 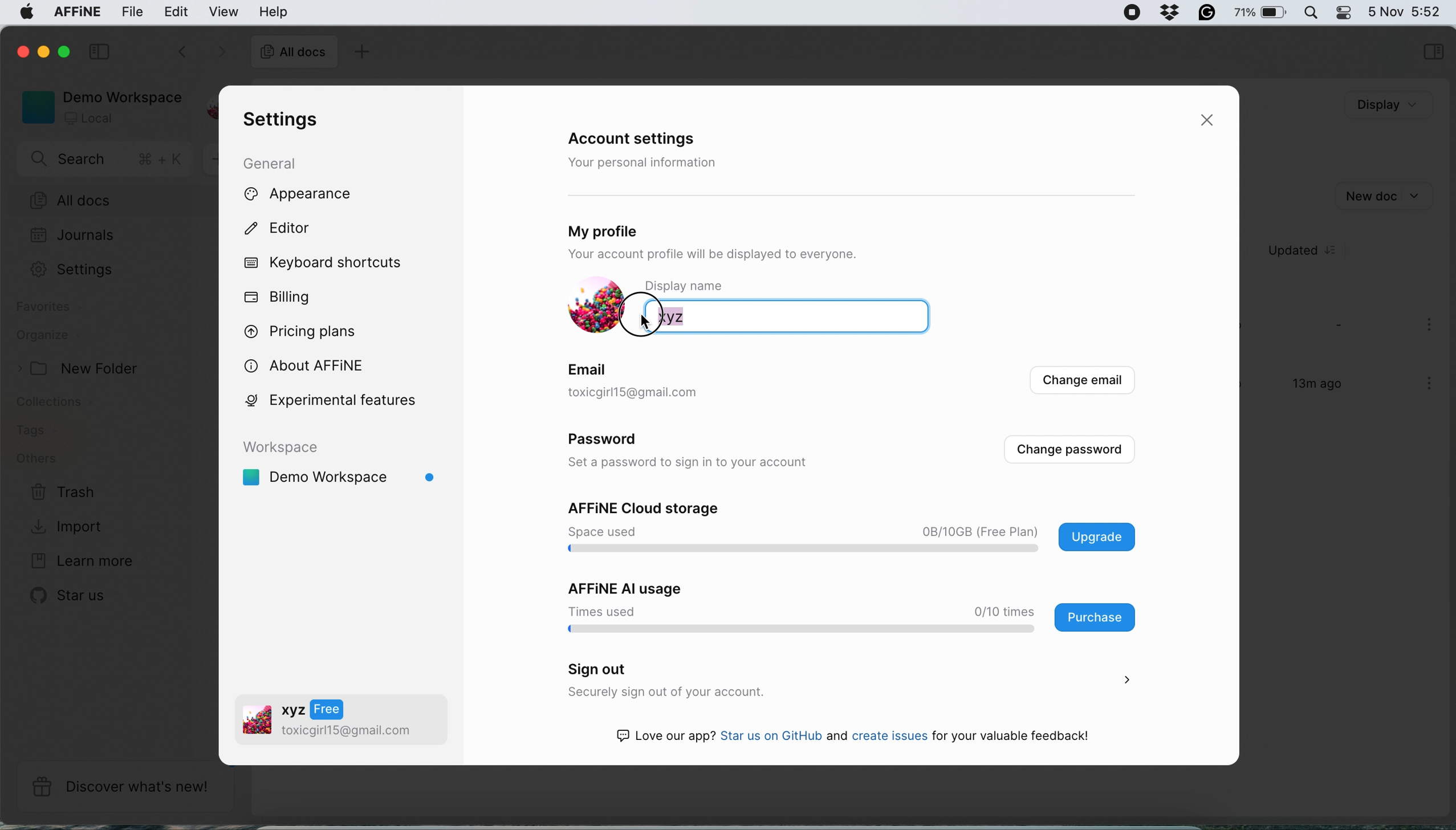 I want to click on grammarly, so click(x=1204, y=11).